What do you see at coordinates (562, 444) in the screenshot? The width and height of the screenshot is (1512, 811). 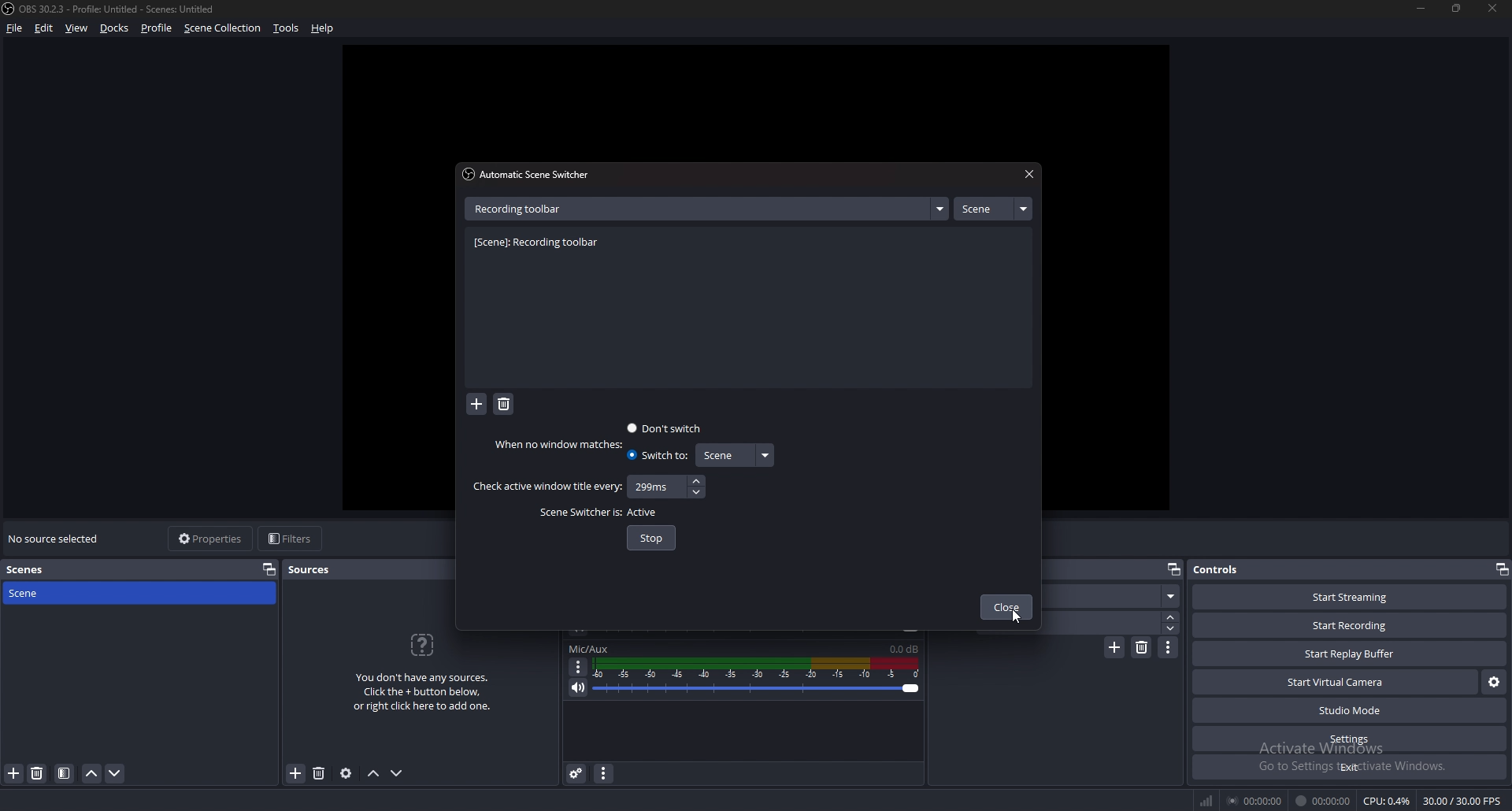 I see `when no window matches` at bounding box center [562, 444].